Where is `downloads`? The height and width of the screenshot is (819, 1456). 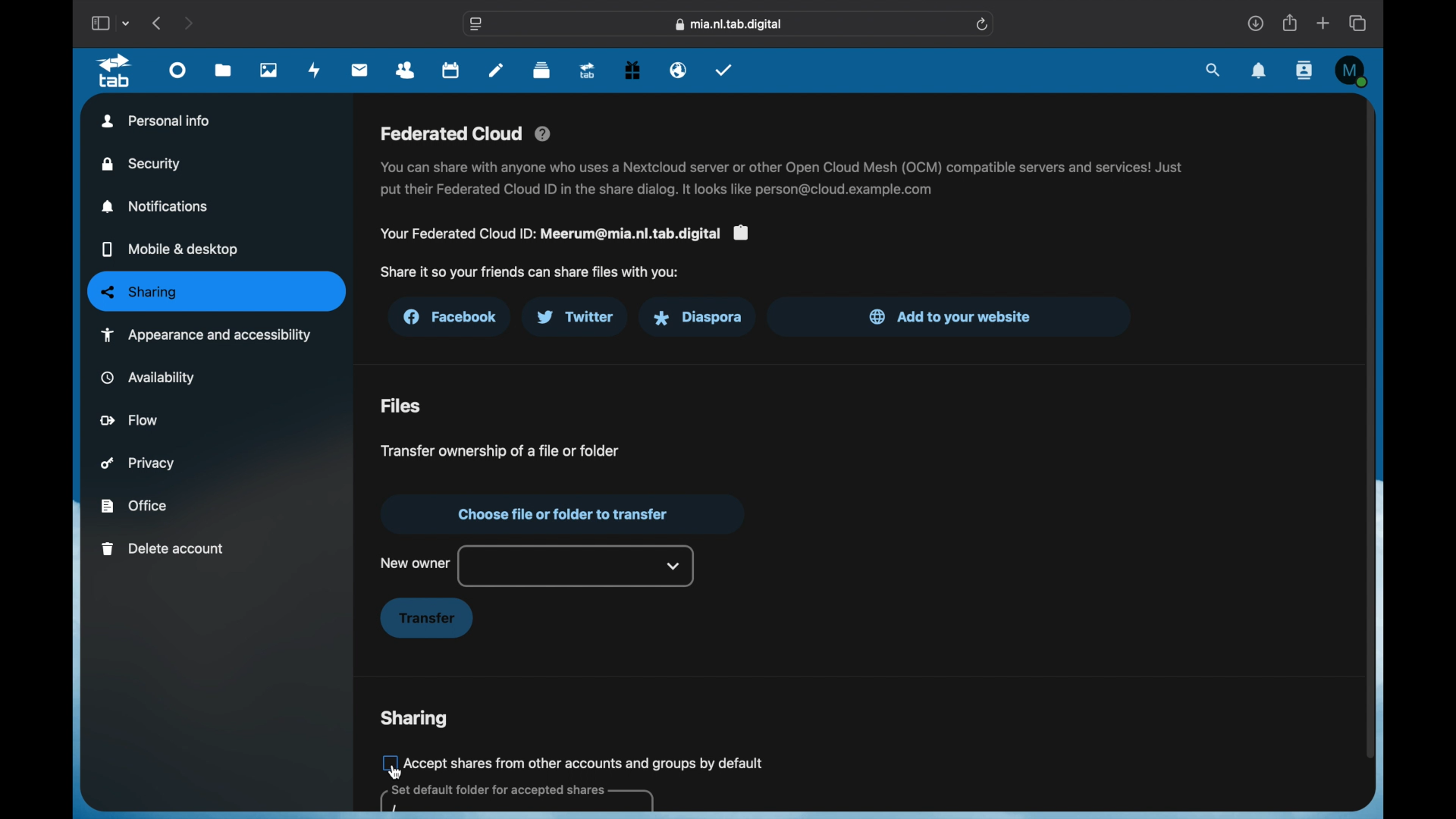
downloads is located at coordinates (1254, 23).